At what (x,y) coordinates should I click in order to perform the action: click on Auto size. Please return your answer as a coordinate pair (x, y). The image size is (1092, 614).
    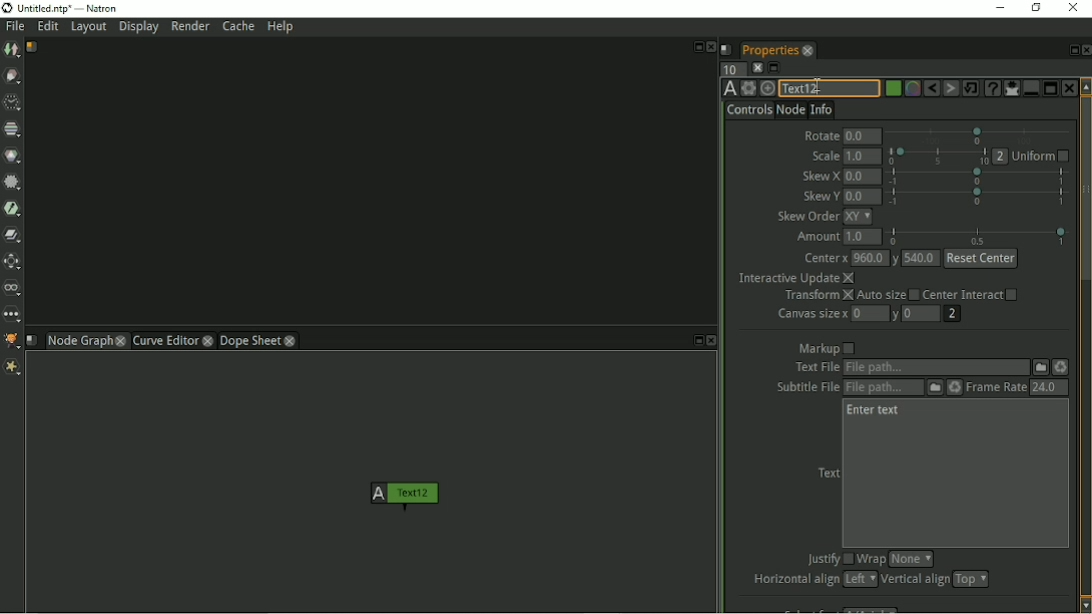
    Looking at the image, I should click on (887, 296).